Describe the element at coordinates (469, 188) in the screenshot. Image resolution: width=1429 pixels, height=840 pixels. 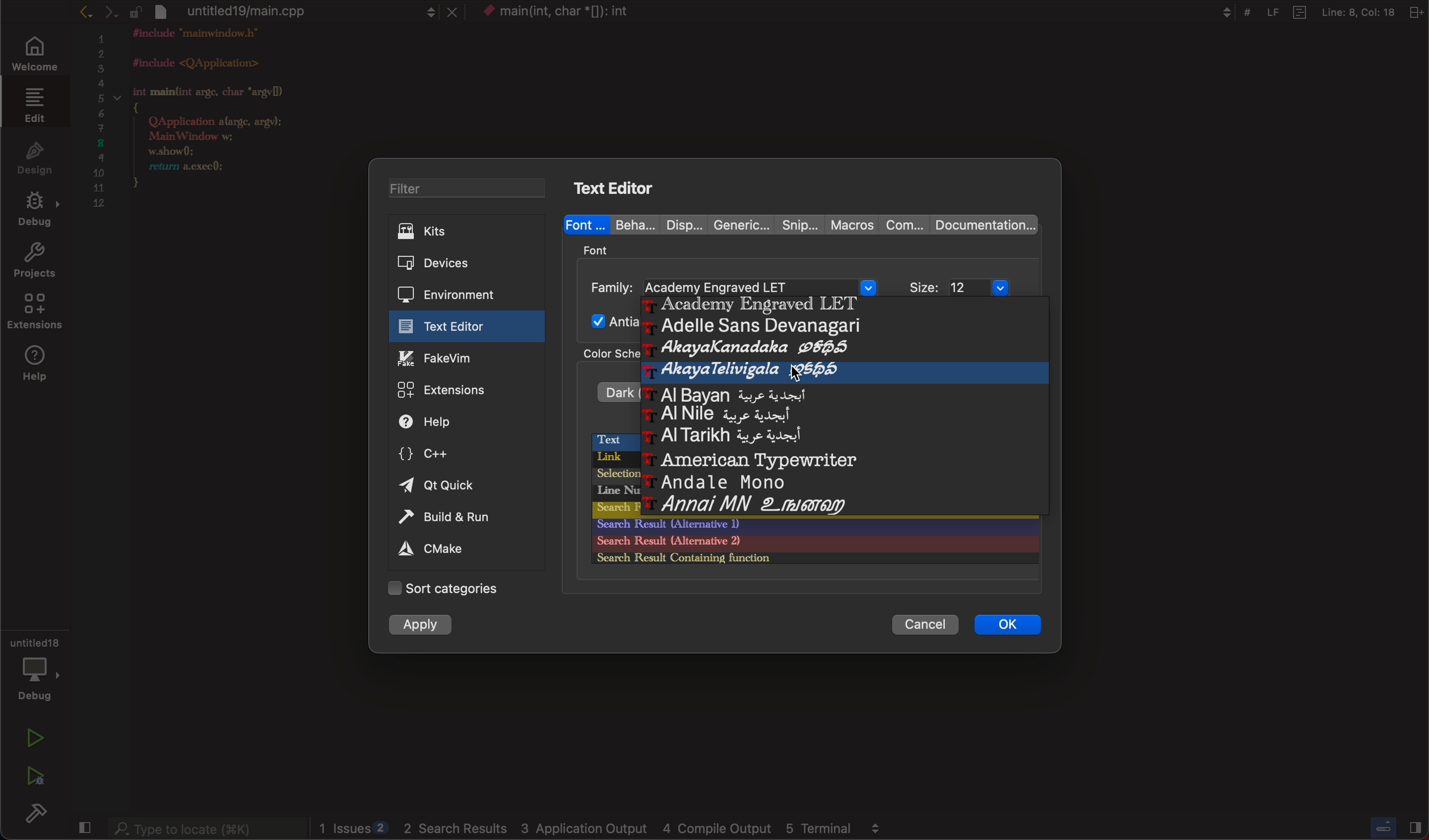
I see `filter` at that location.